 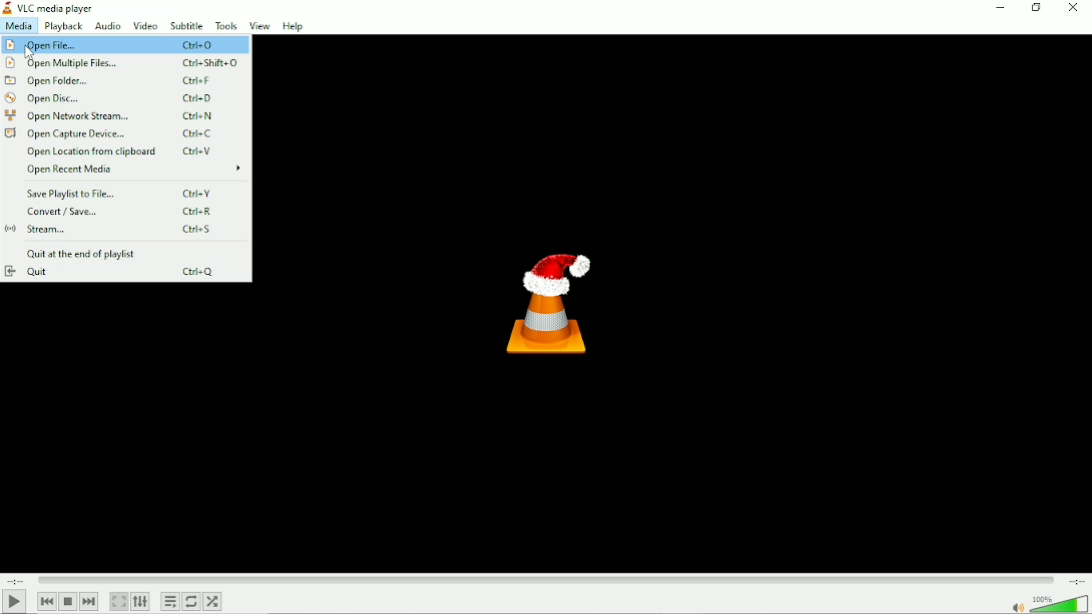 What do you see at coordinates (141, 601) in the screenshot?
I see `Show extended settings` at bounding box center [141, 601].